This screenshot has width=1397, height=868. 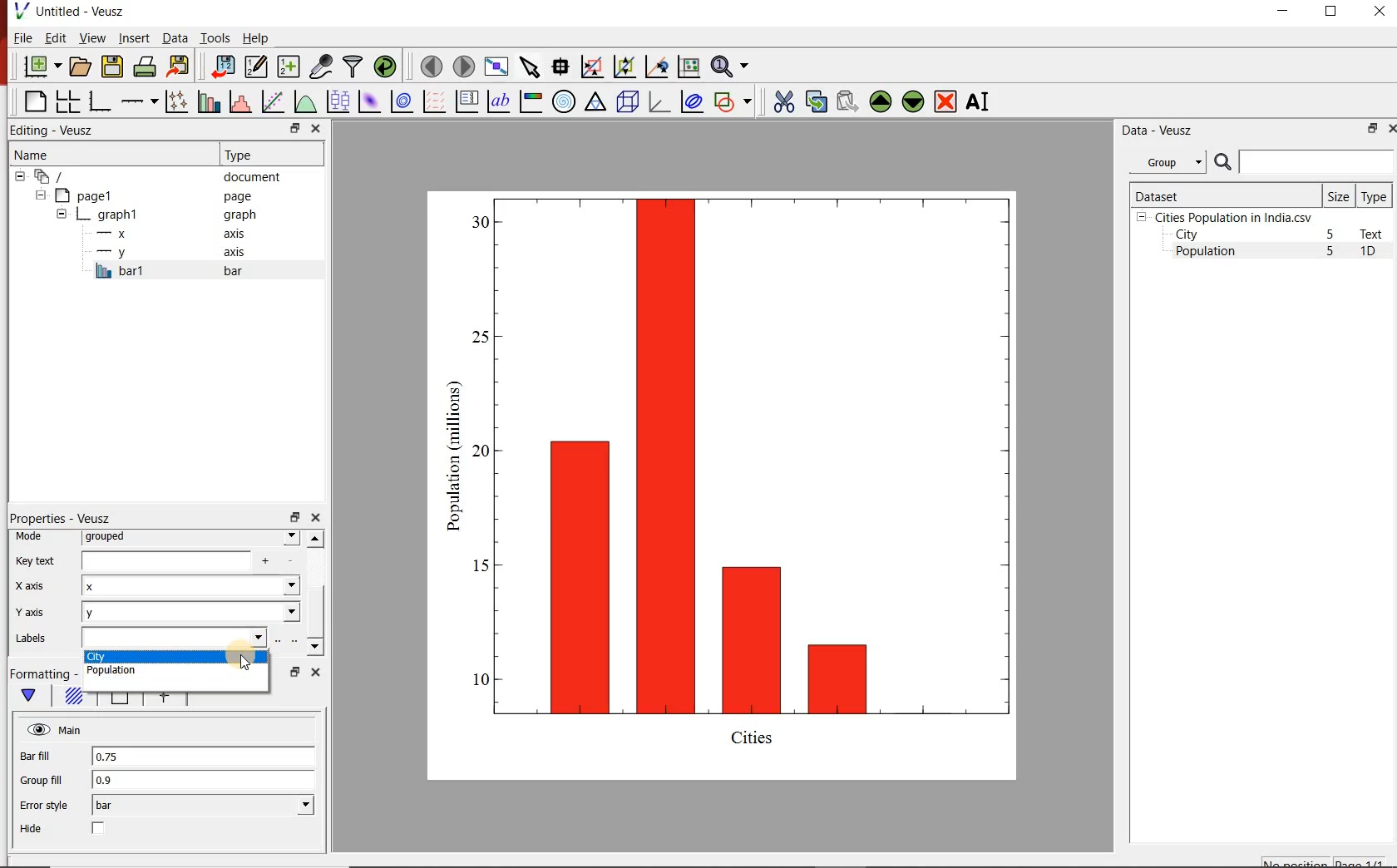 What do you see at coordinates (94, 152) in the screenshot?
I see `Name` at bounding box center [94, 152].